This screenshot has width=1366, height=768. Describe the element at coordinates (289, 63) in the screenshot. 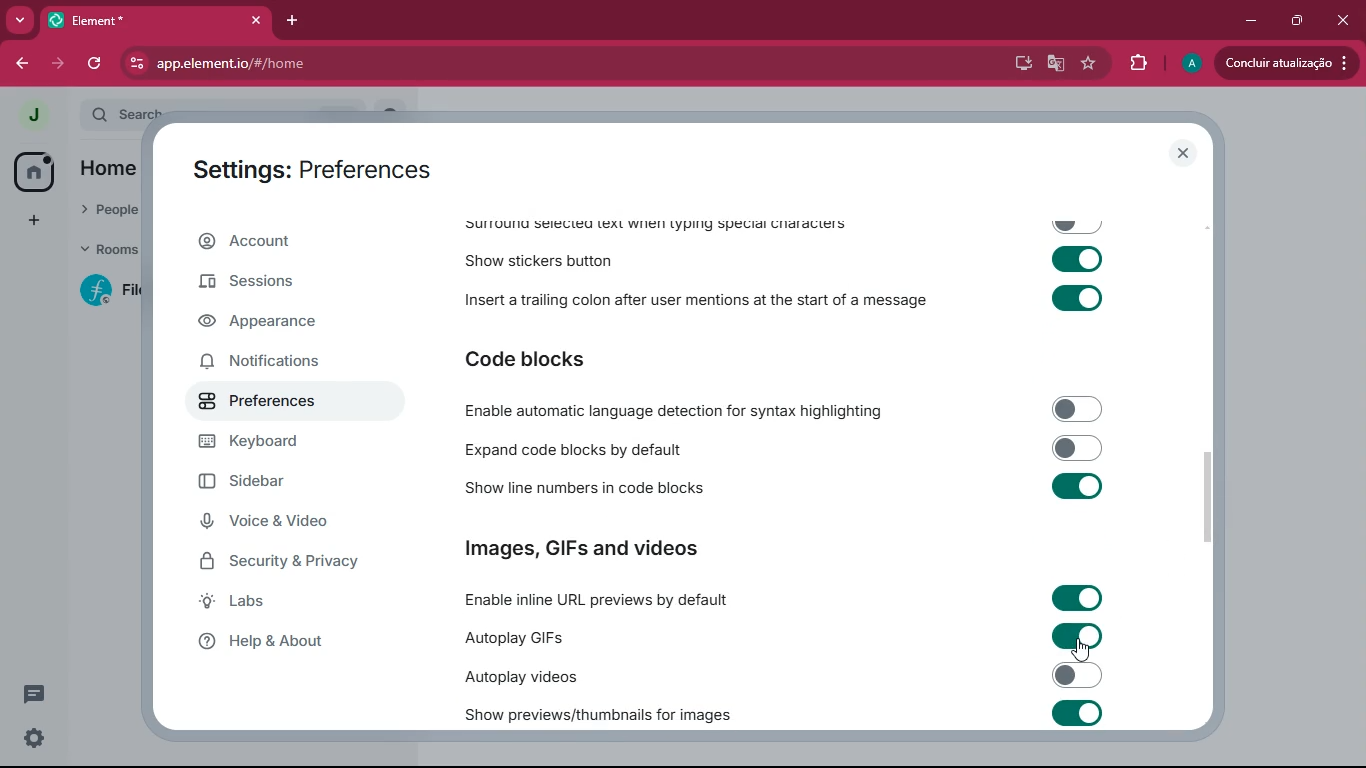

I see `app.element.io/#/home` at that location.